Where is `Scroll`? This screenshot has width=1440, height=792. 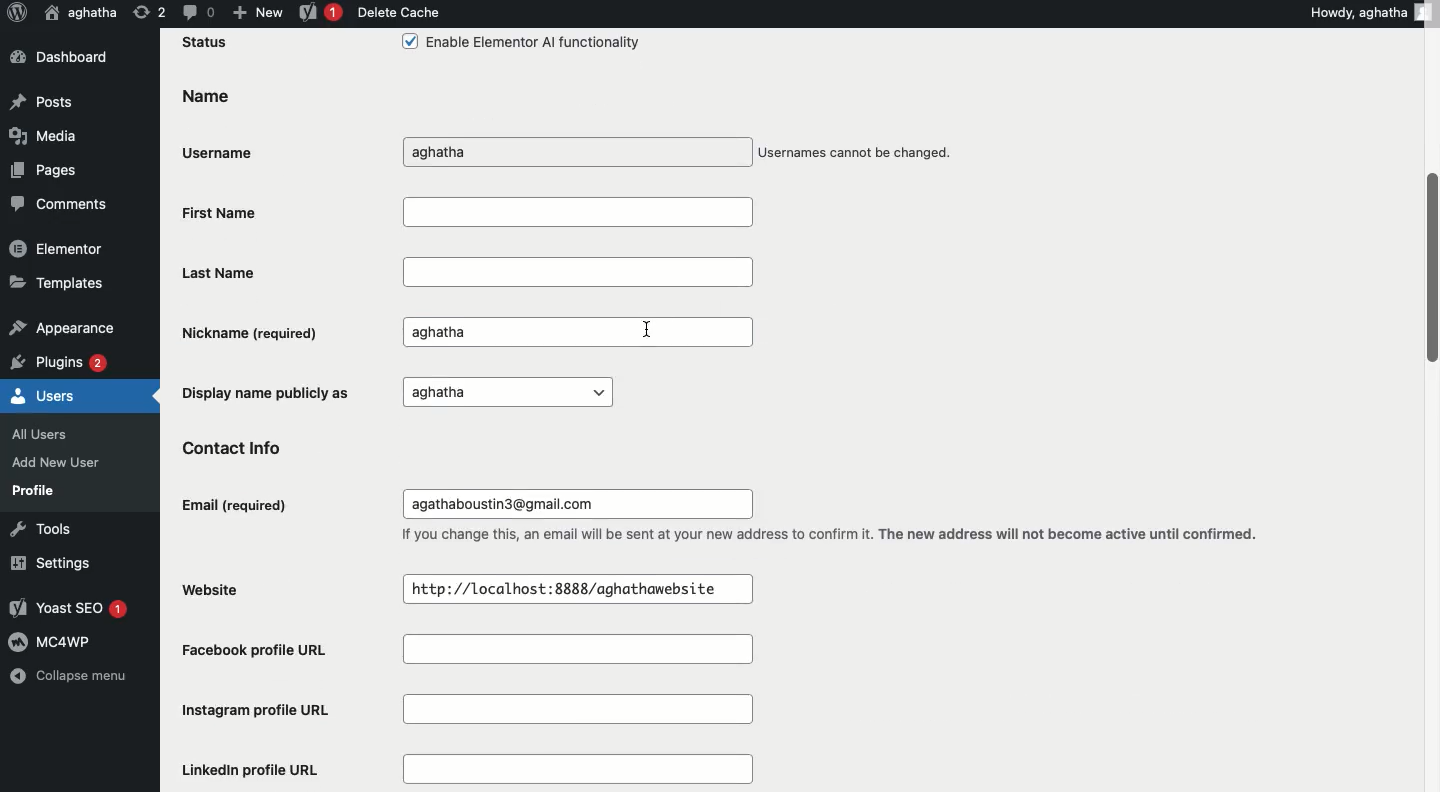
Scroll is located at coordinates (1430, 396).